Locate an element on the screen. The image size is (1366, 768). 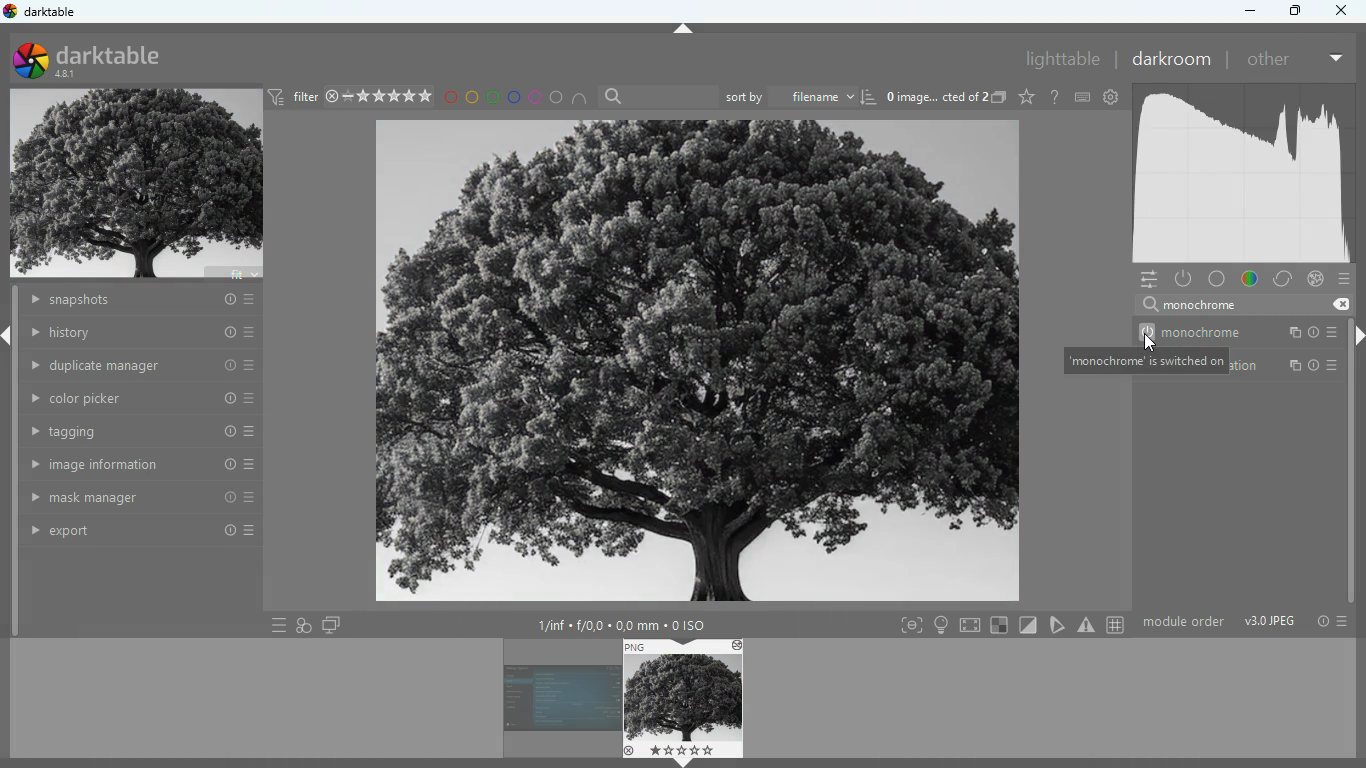
search is located at coordinates (656, 96).